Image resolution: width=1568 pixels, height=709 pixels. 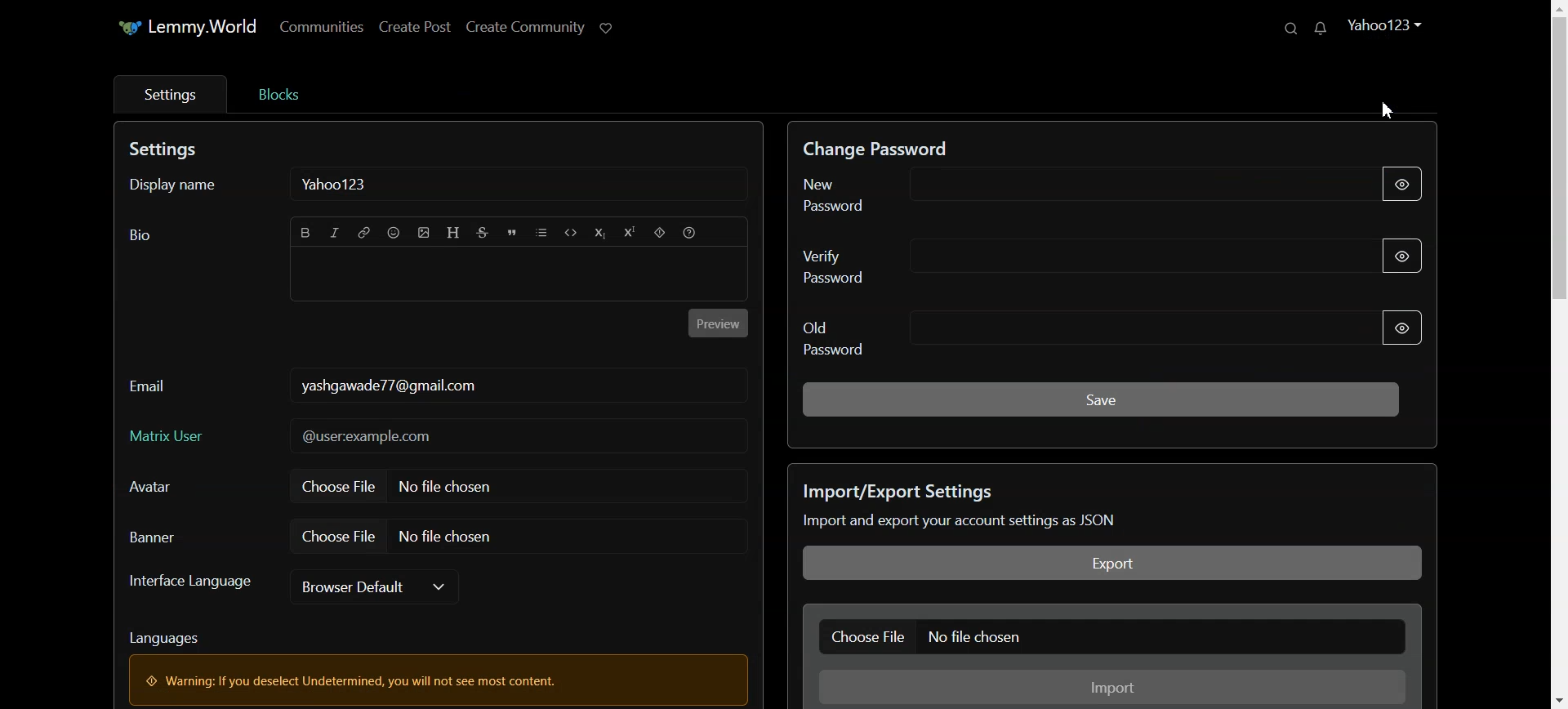 What do you see at coordinates (630, 231) in the screenshot?
I see `Superscript` at bounding box center [630, 231].